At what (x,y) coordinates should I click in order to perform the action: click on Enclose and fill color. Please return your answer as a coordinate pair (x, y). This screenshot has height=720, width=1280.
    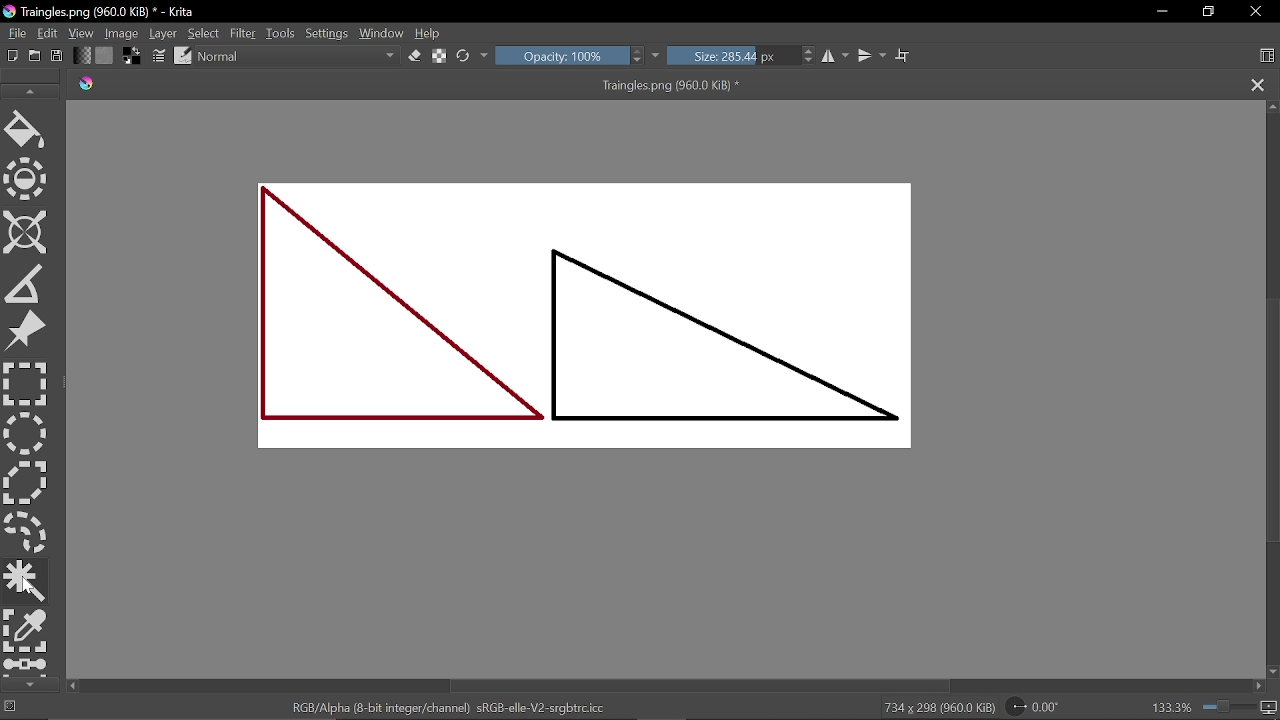
    Looking at the image, I should click on (27, 181).